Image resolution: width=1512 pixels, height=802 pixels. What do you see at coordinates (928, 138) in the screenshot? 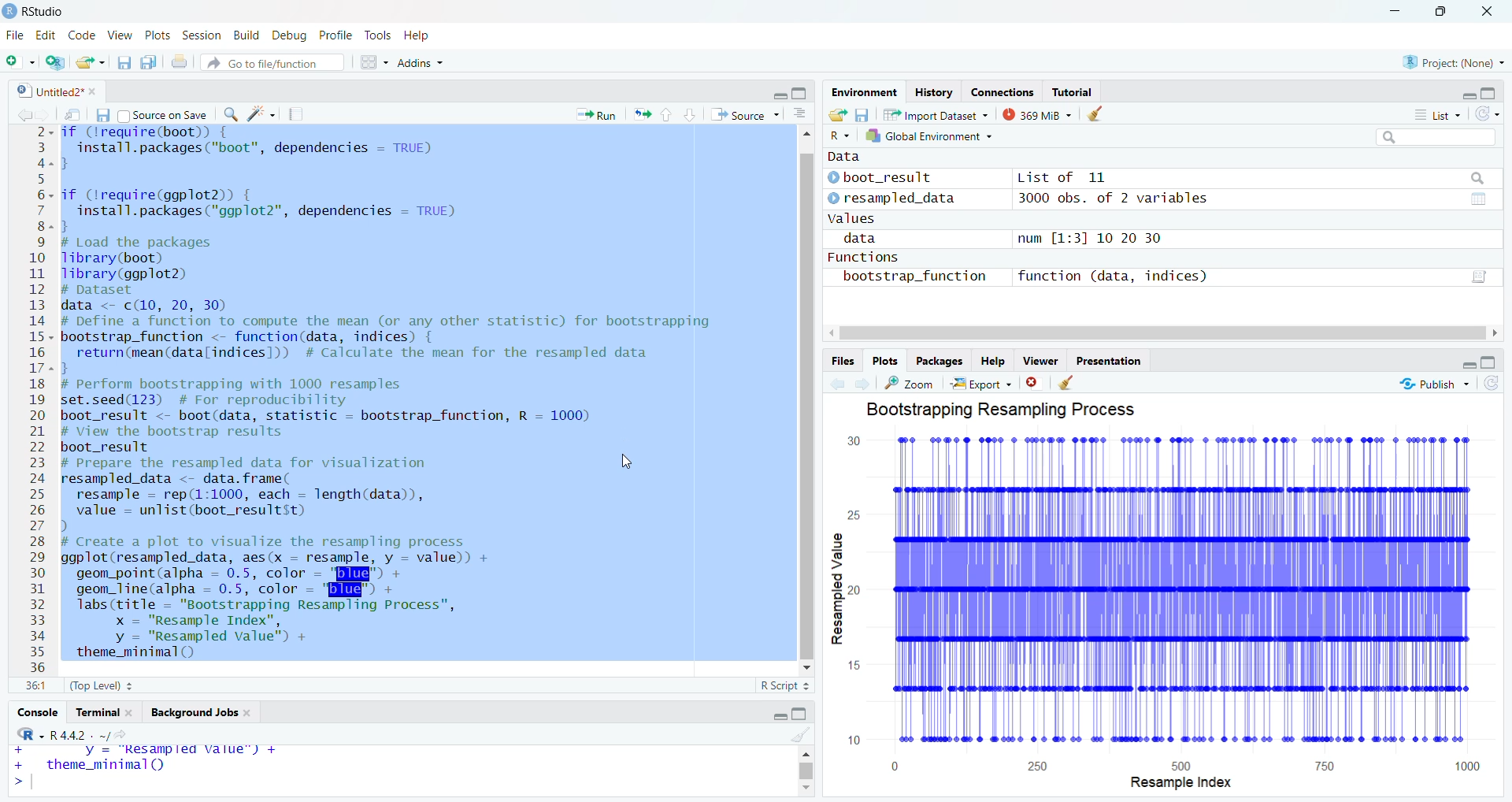
I see `1h Global Environment +` at bounding box center [928, 138].